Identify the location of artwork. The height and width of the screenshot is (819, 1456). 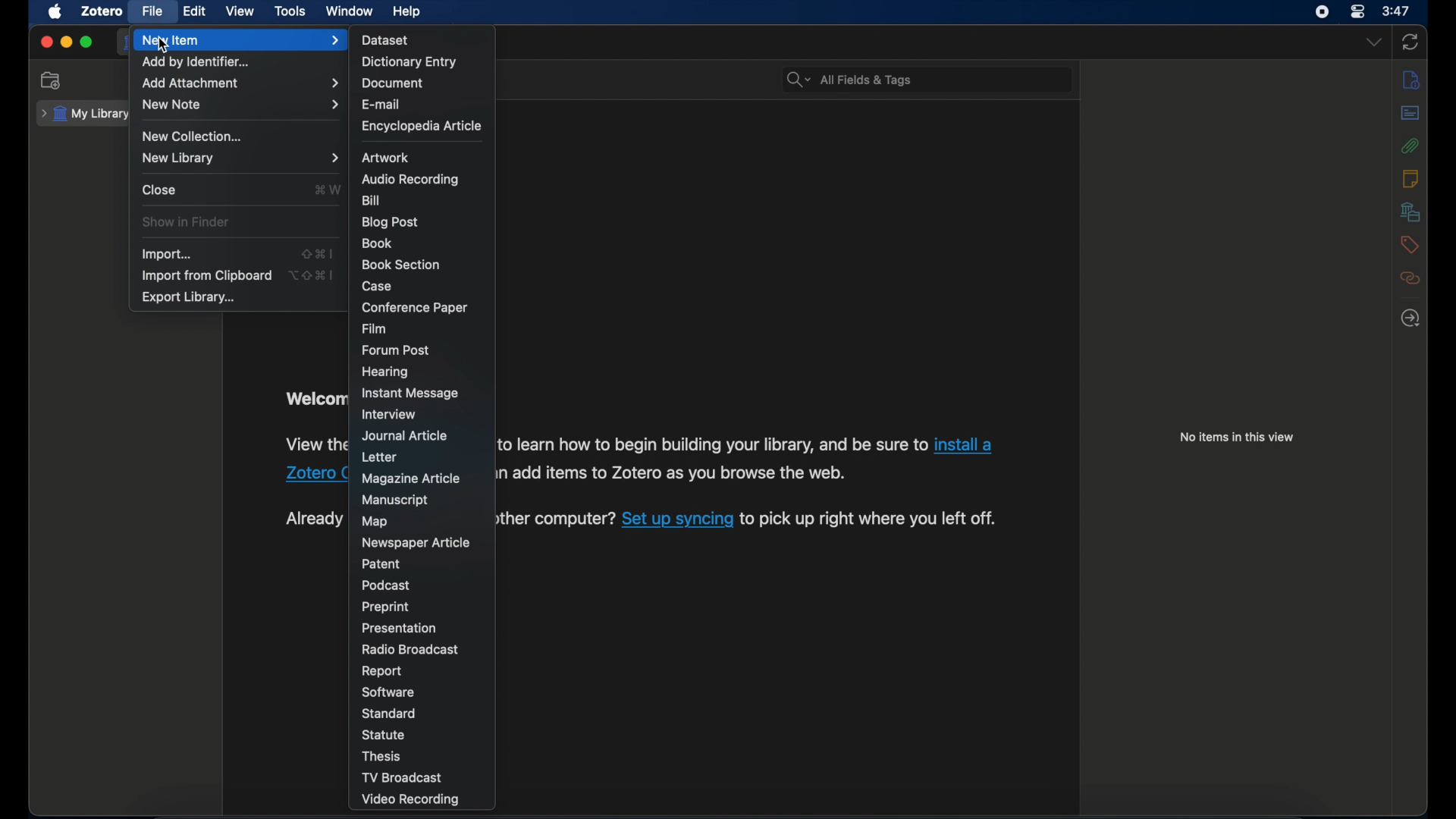
(386, 158).